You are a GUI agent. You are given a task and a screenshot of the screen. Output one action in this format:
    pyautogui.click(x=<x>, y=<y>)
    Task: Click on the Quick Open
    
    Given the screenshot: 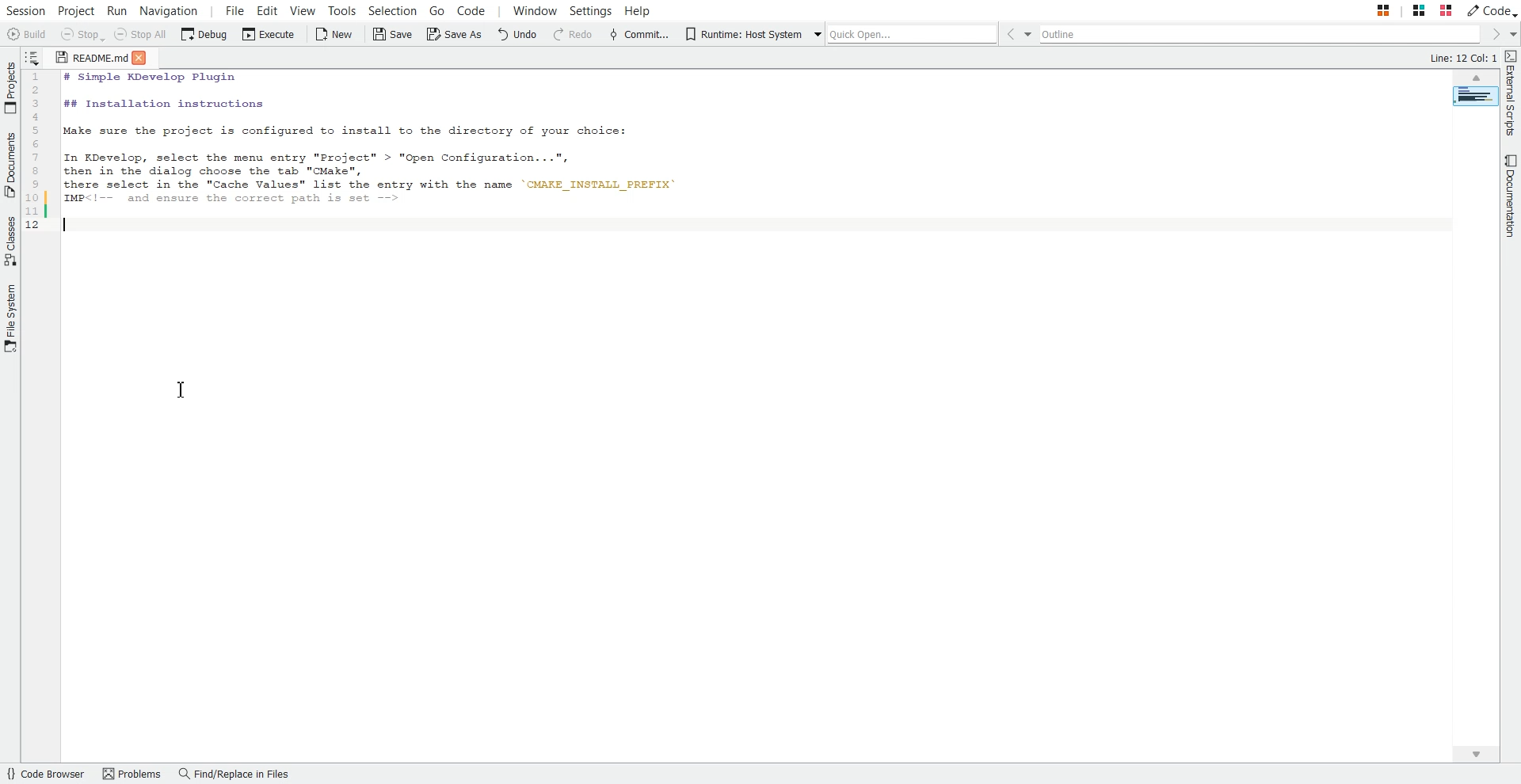 What is the action you would take?
    pyautogui.click(x=907, y=33)
    